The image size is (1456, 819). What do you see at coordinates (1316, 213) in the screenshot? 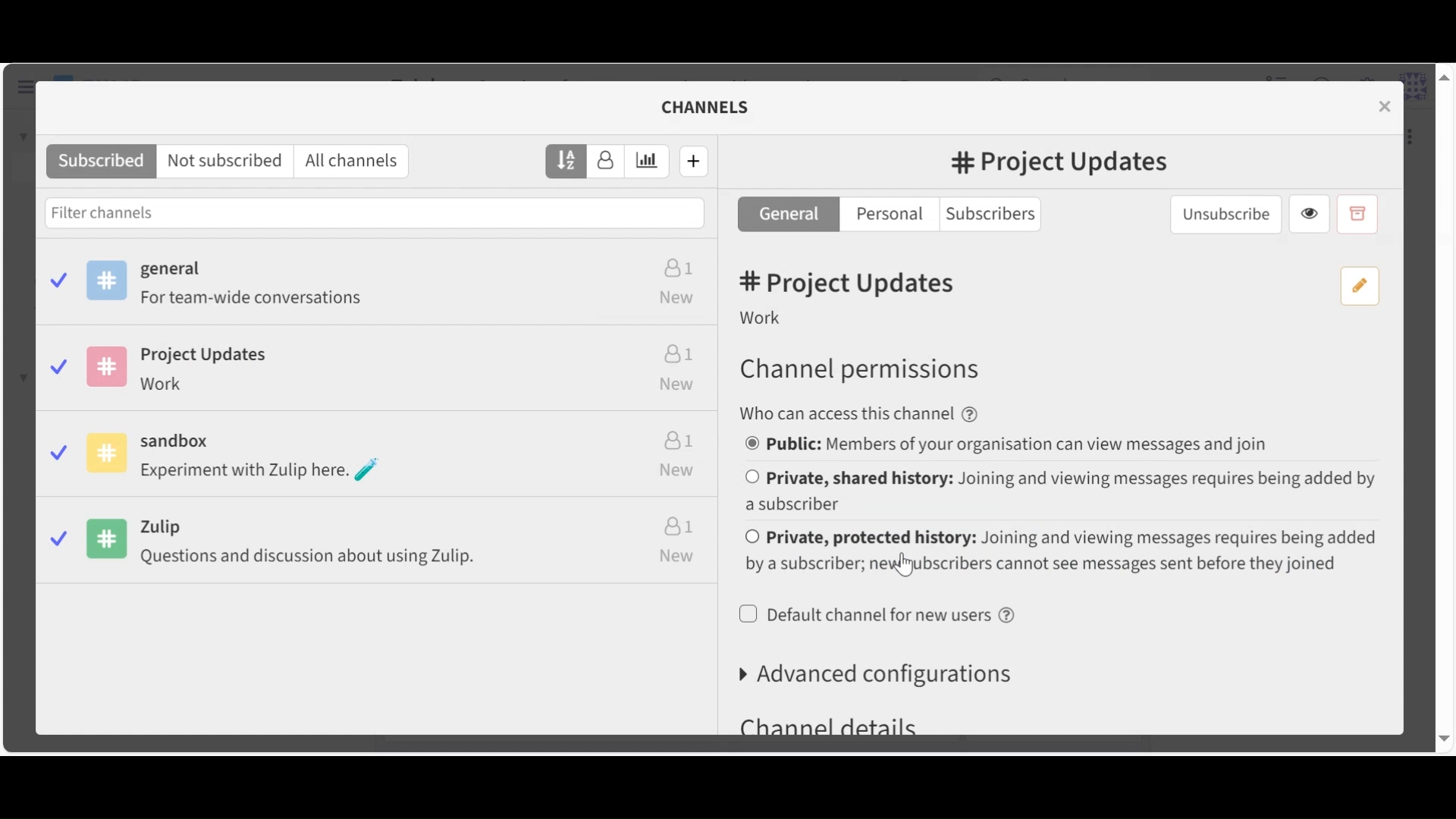
I see `VIew Channel` at bounding box center [1316, 213].